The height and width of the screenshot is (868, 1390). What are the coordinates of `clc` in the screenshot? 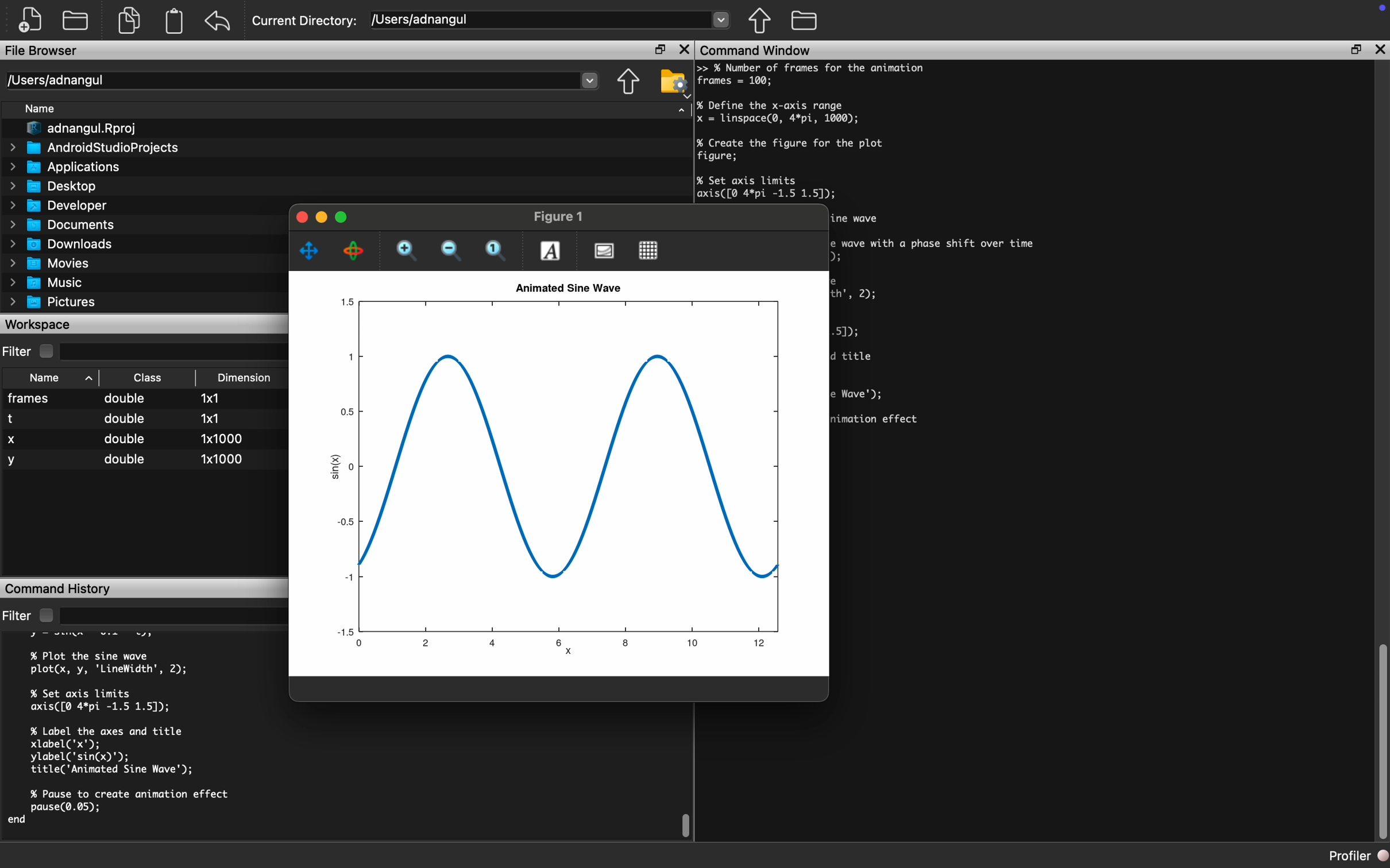 It's located at (19, 832).